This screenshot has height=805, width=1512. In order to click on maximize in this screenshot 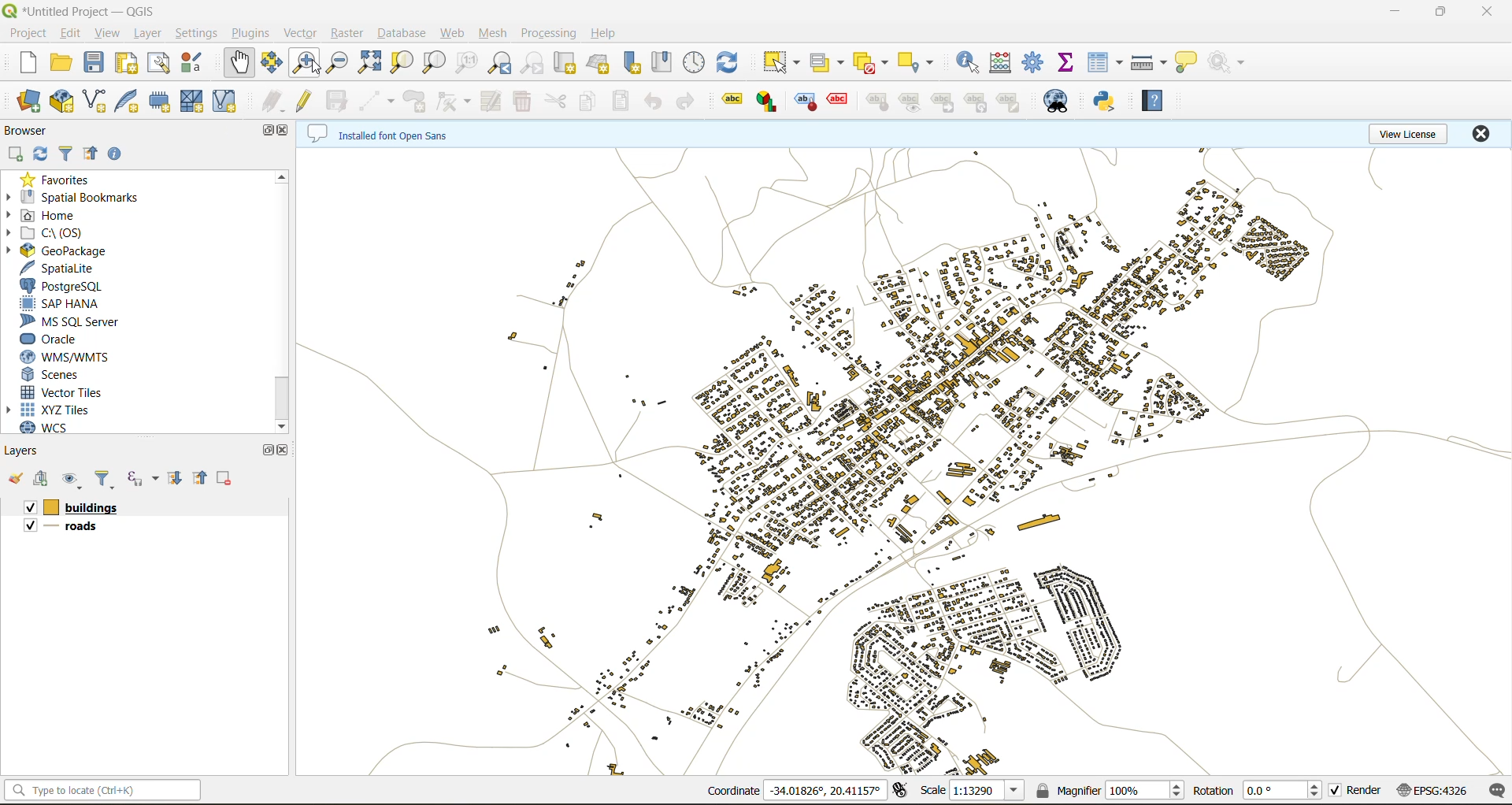, I will do `click(269, 131)`.